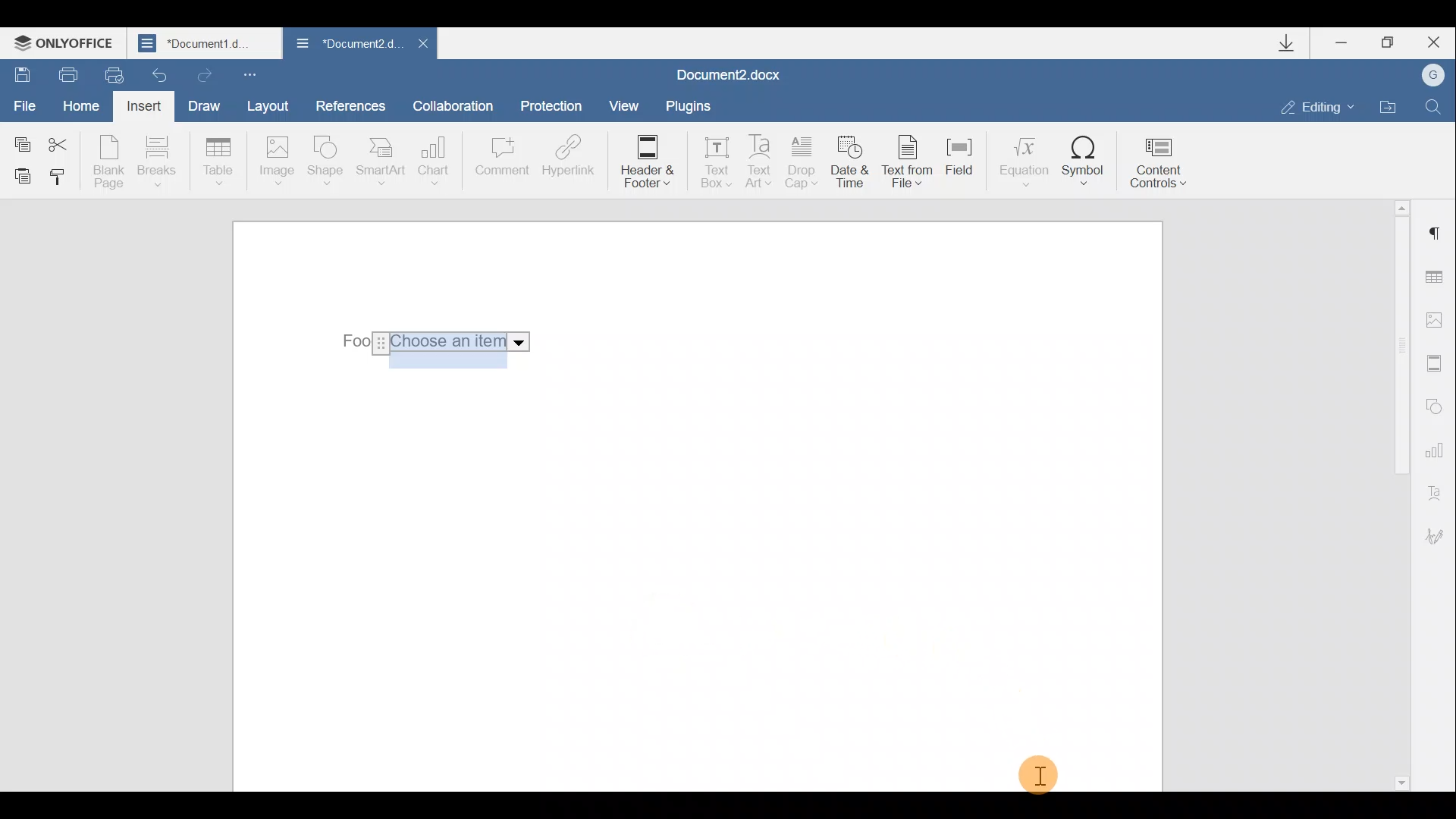  I want to click on Image settings, so click(1438, 320).